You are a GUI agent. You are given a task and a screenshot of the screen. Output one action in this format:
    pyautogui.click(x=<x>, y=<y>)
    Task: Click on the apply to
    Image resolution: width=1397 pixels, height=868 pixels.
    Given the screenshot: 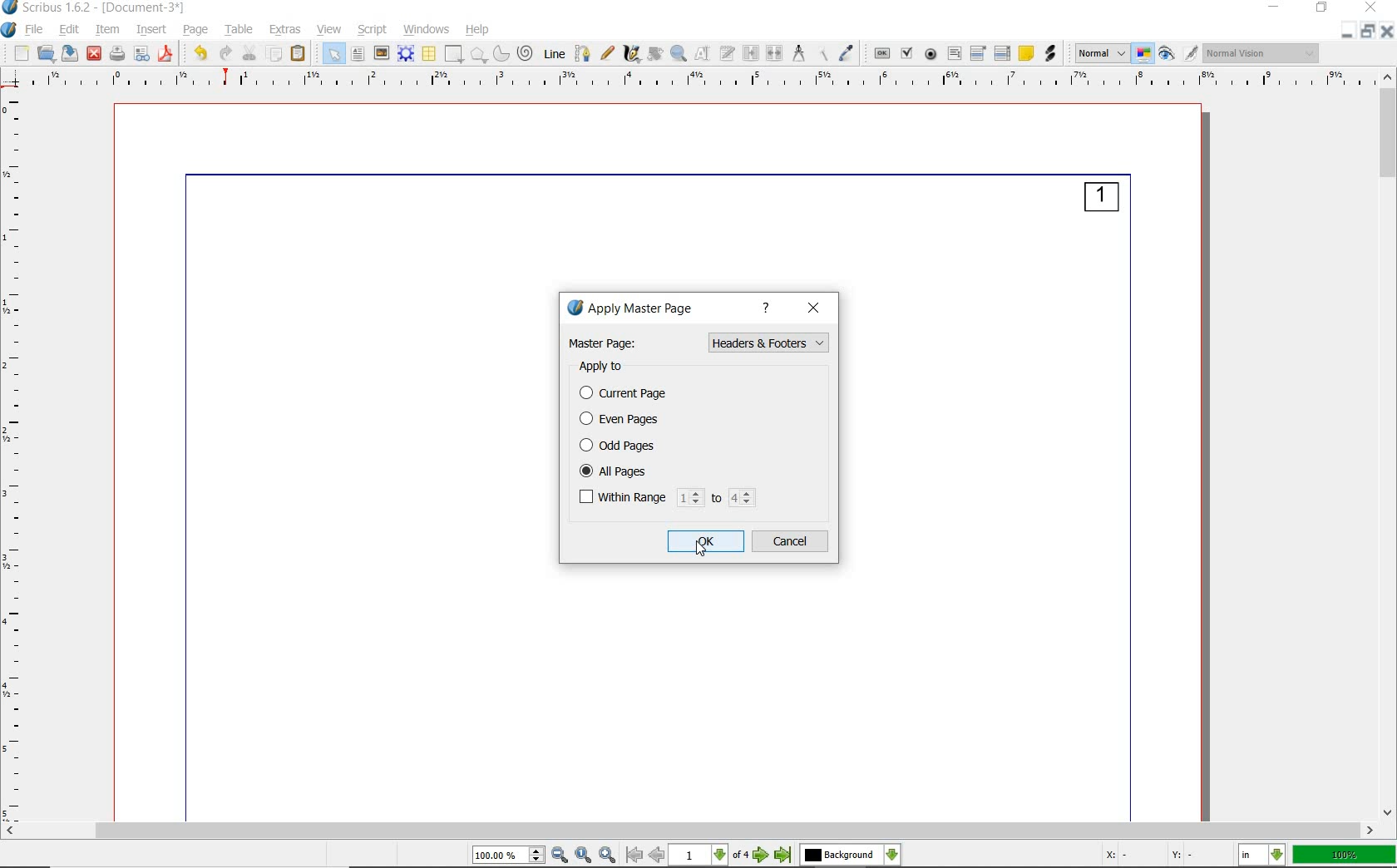 What is the action you would take?
    pyautogui.click(x=605, y=367)
    